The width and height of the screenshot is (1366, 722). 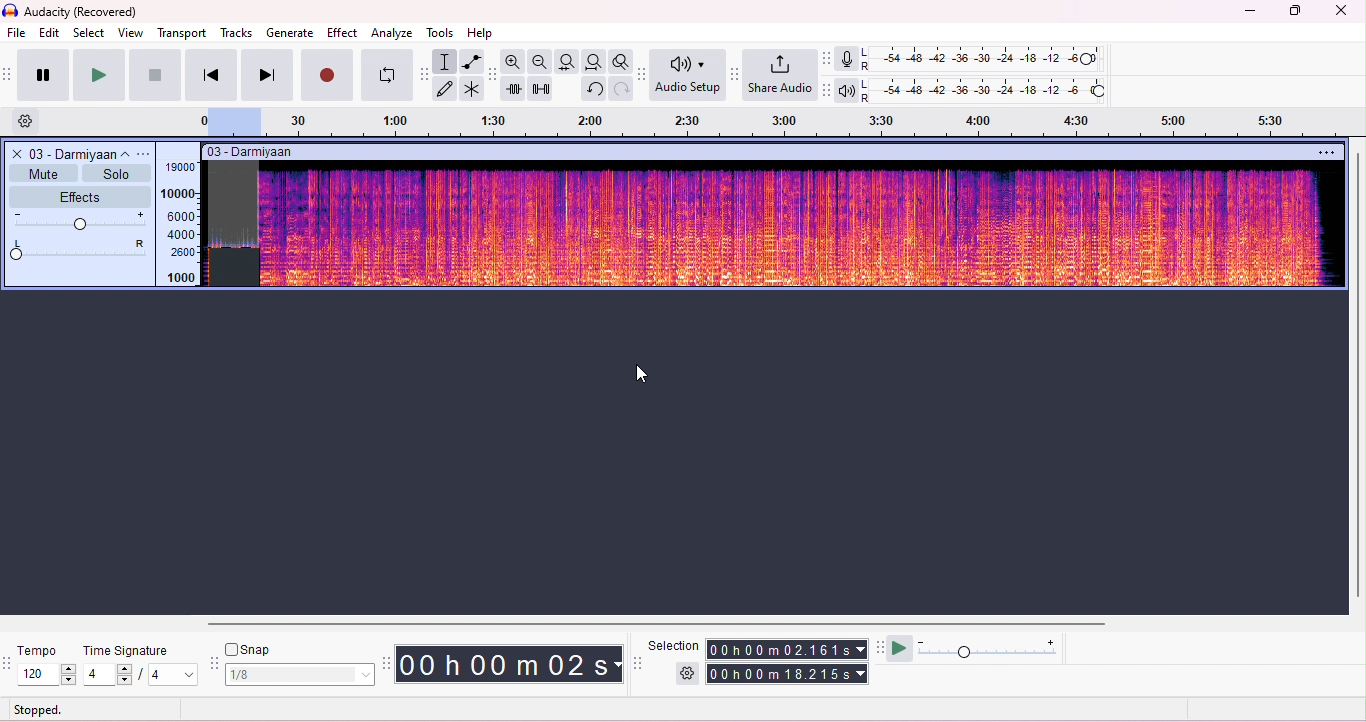 I want to click on minimize, so click(x=1250, y=14).